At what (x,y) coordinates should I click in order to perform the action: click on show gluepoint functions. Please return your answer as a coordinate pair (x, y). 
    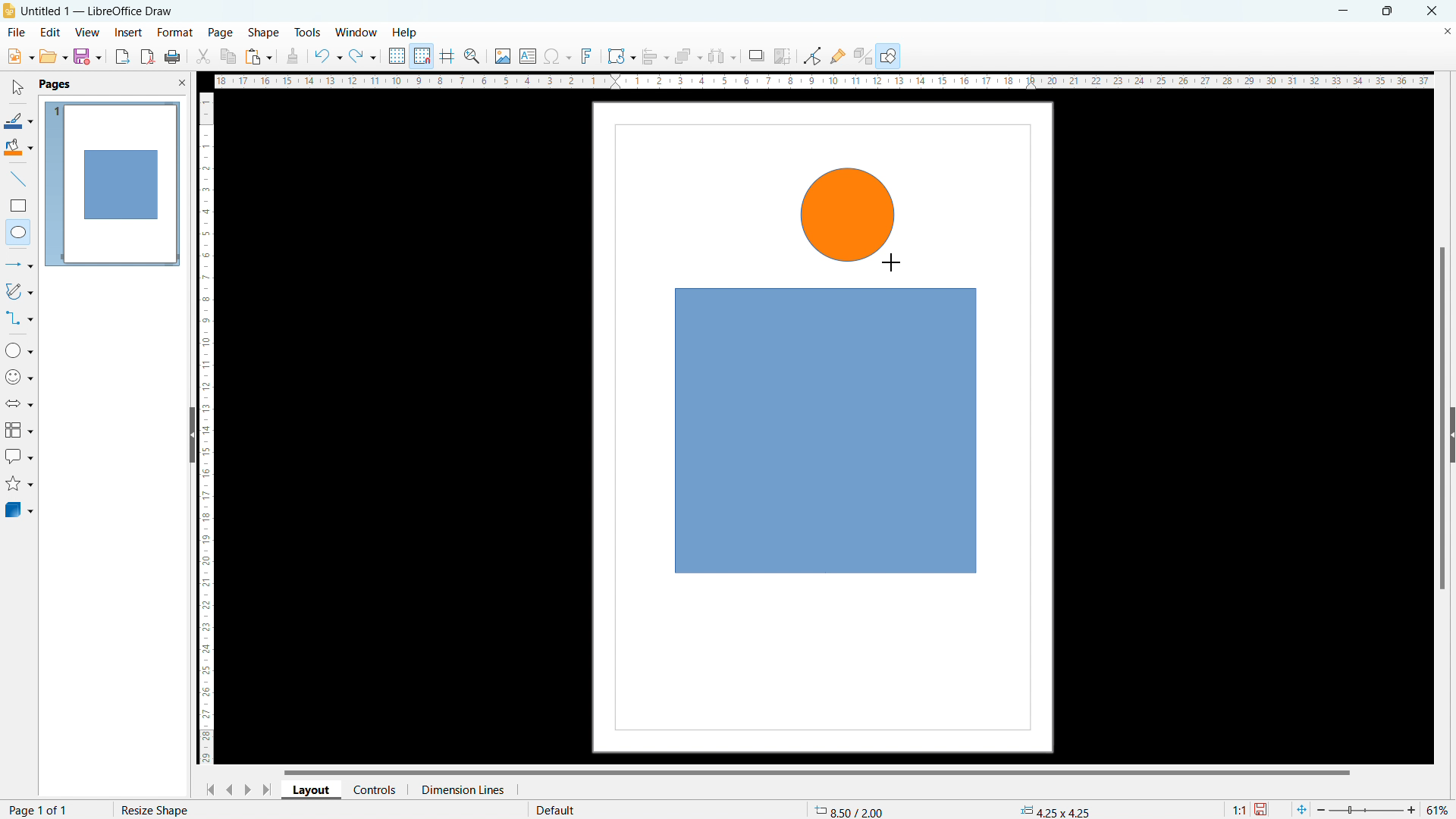
    Looking at the image, I should click on (838, 55).